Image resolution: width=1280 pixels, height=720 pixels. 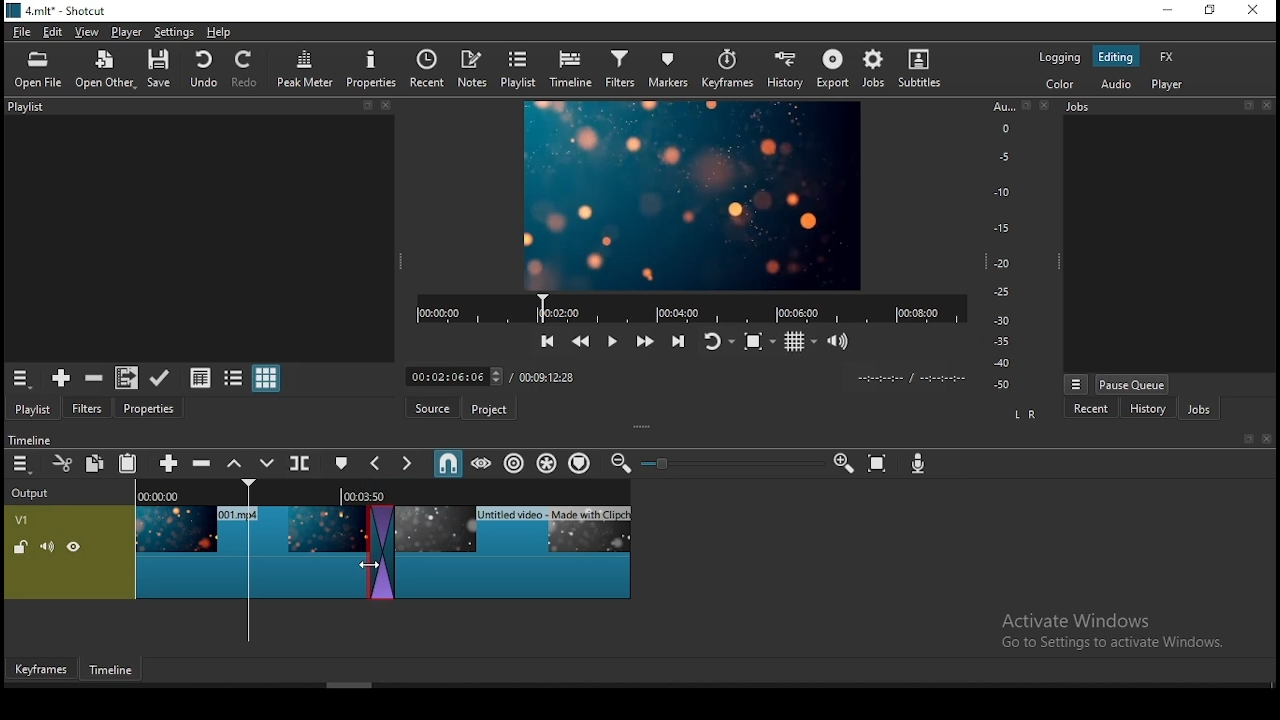 I want to click on zoom timeline in, so click(x=843, y=461).